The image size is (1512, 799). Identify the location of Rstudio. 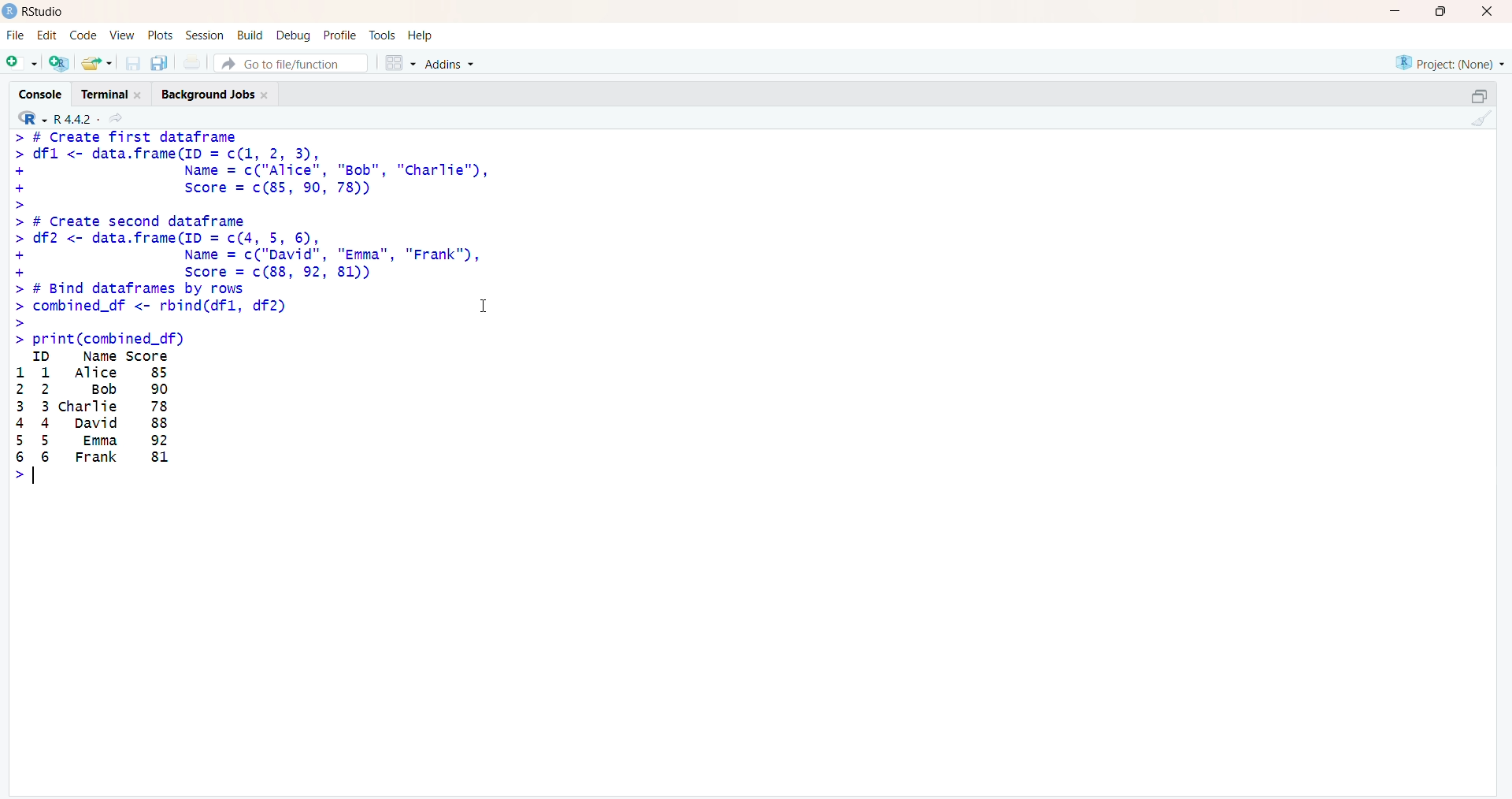
(44, 11).